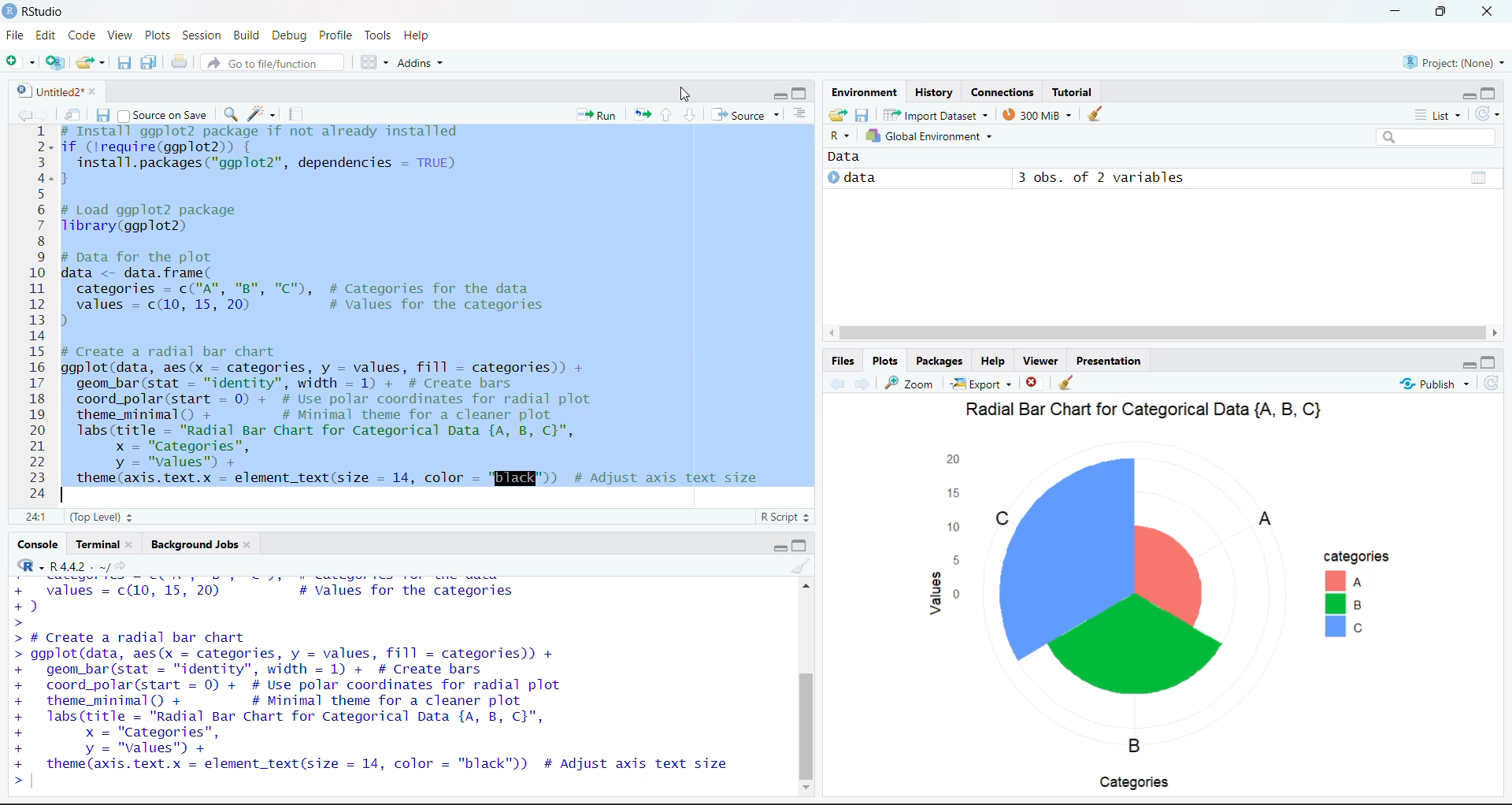 The image size is (1512, 805). What do you see at coordinates (229, 114) in the screenshot?
I see `find /replace` at bounding box center [229, 114].